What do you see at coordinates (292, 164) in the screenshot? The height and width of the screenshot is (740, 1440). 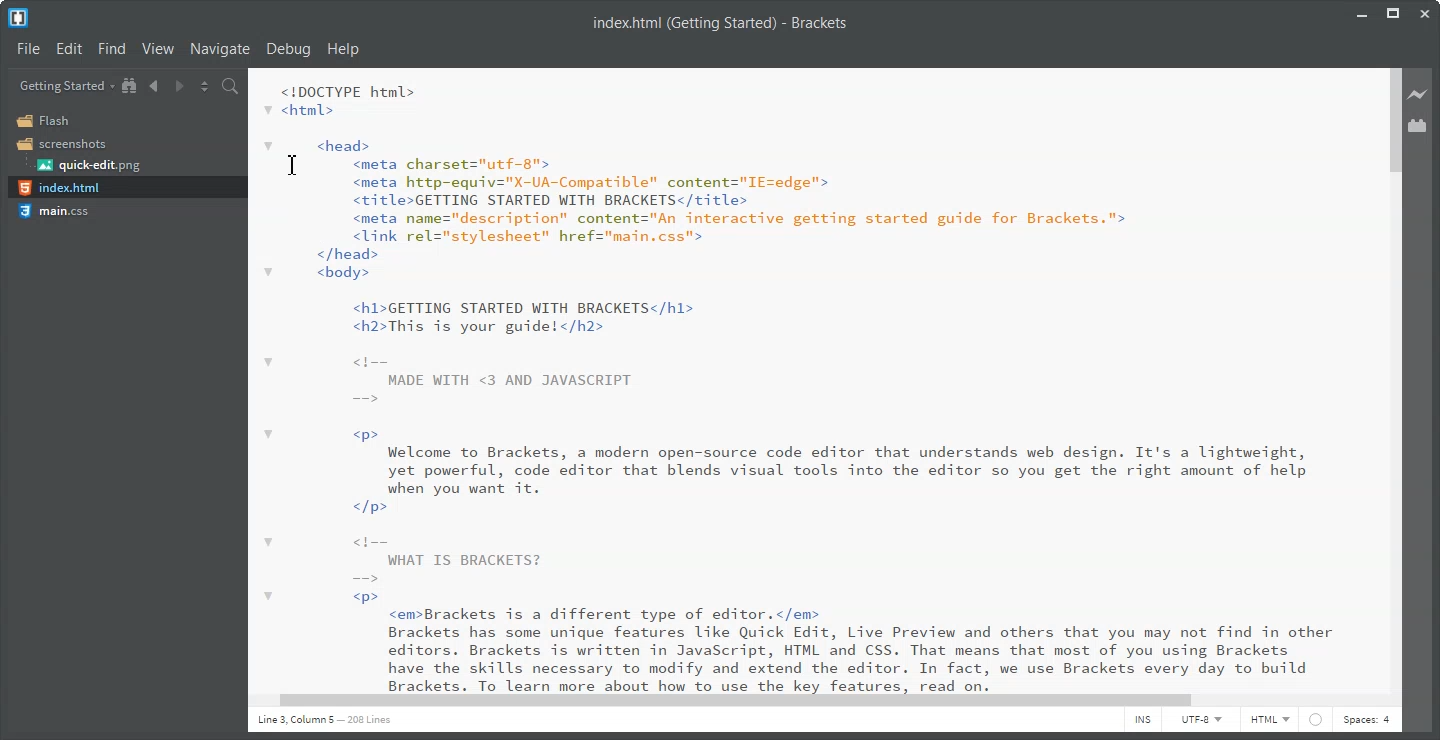 I see `Text Cursor` at bounding box center [292, 164].